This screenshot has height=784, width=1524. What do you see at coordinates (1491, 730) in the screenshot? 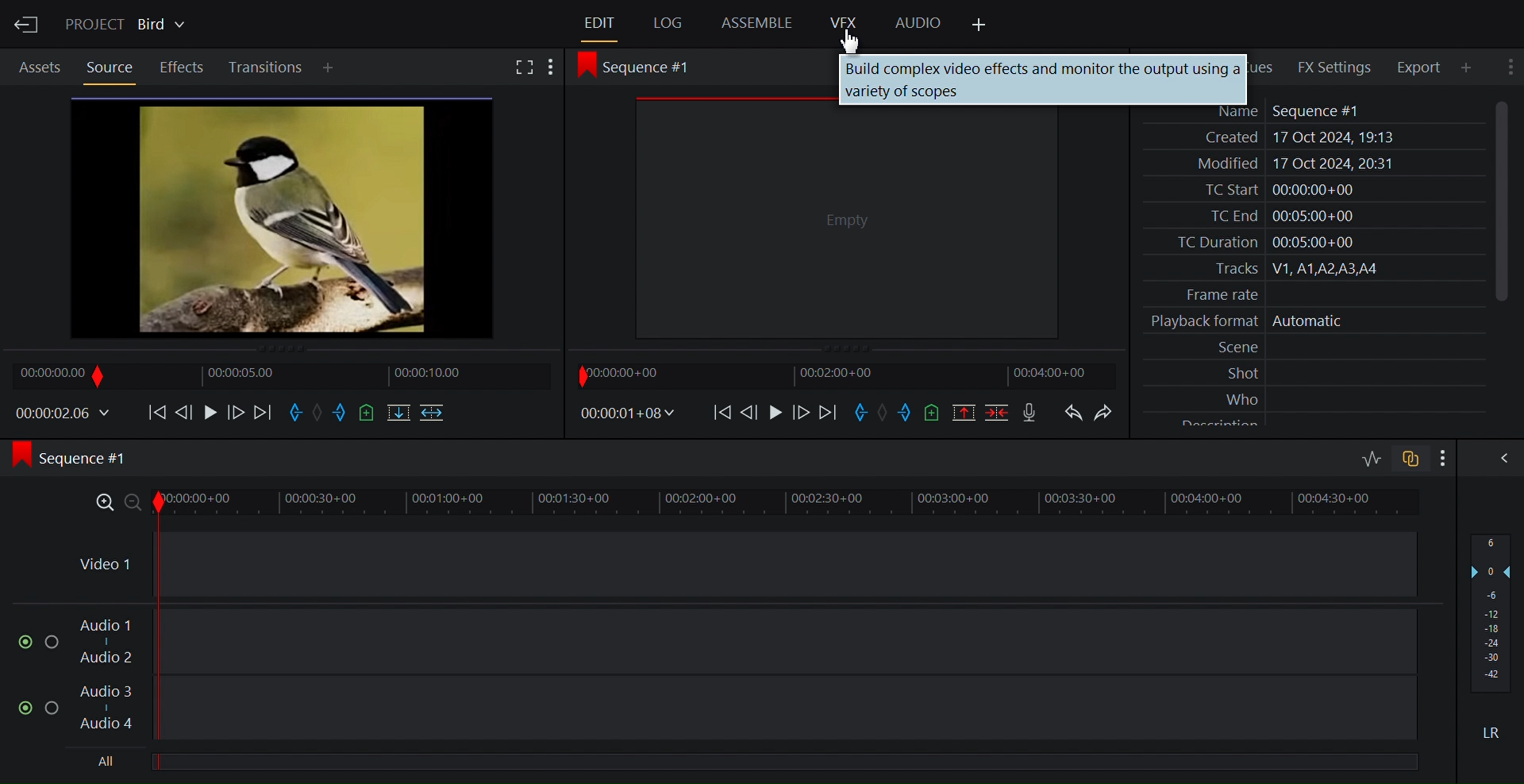
I see `Mute` at bounding box center [1491, 730].